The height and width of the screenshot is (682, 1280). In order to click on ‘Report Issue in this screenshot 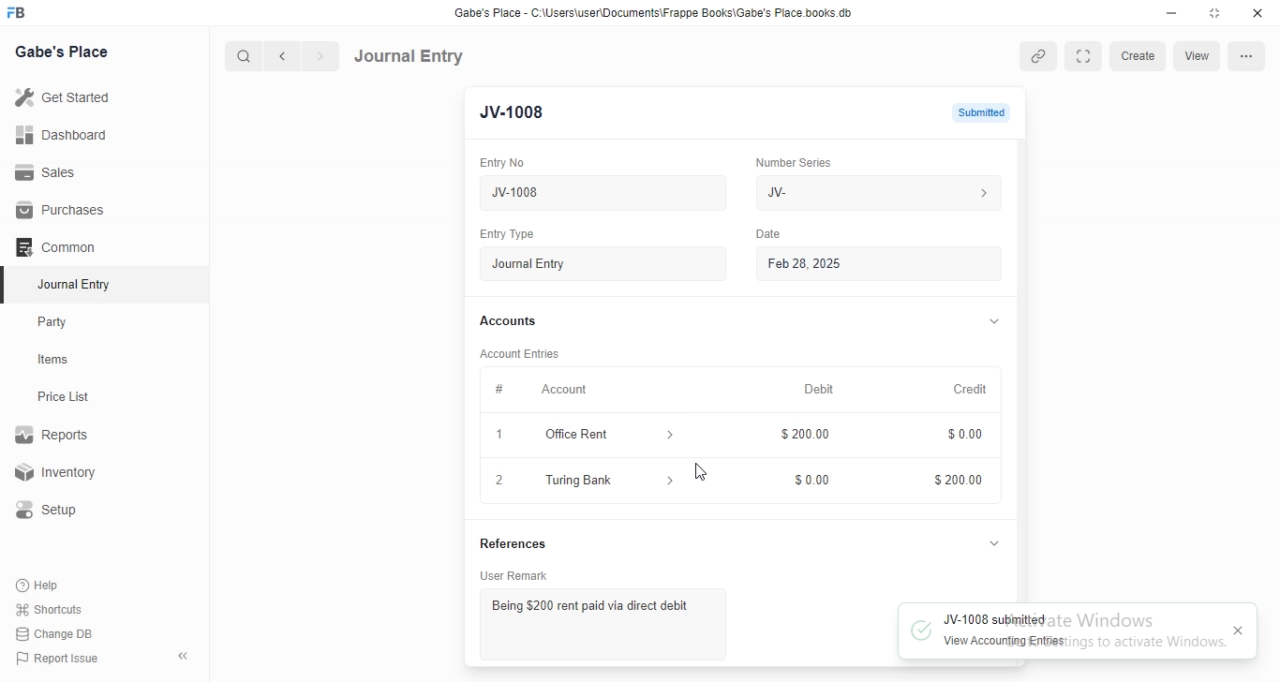, I will do `click(55, 658)`.